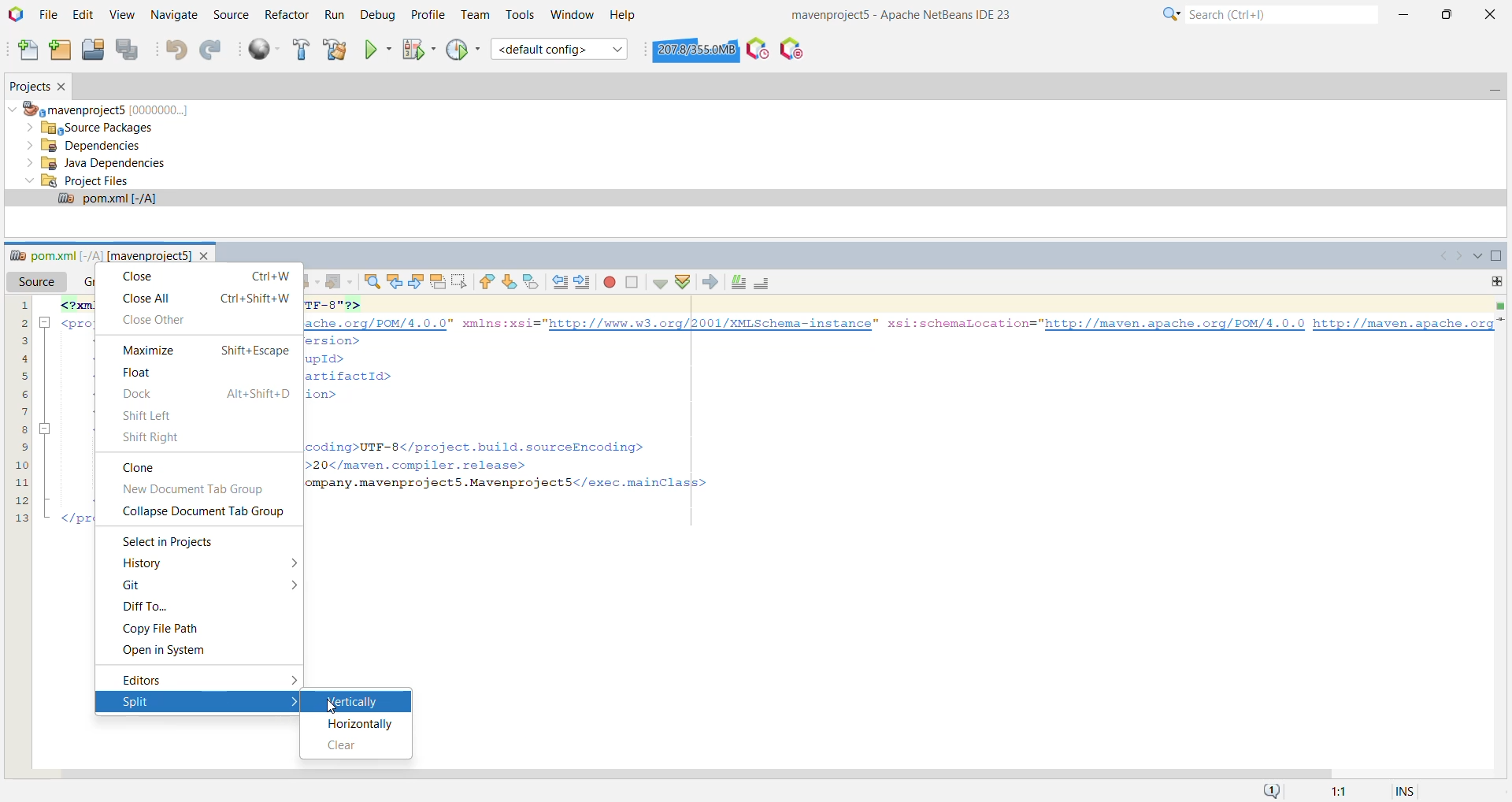 This screenshot has width=1512, height=802. What do you see at coordinates (61, 50) in the screenshot?
I see `New Project` at bounding box center [61, 50].